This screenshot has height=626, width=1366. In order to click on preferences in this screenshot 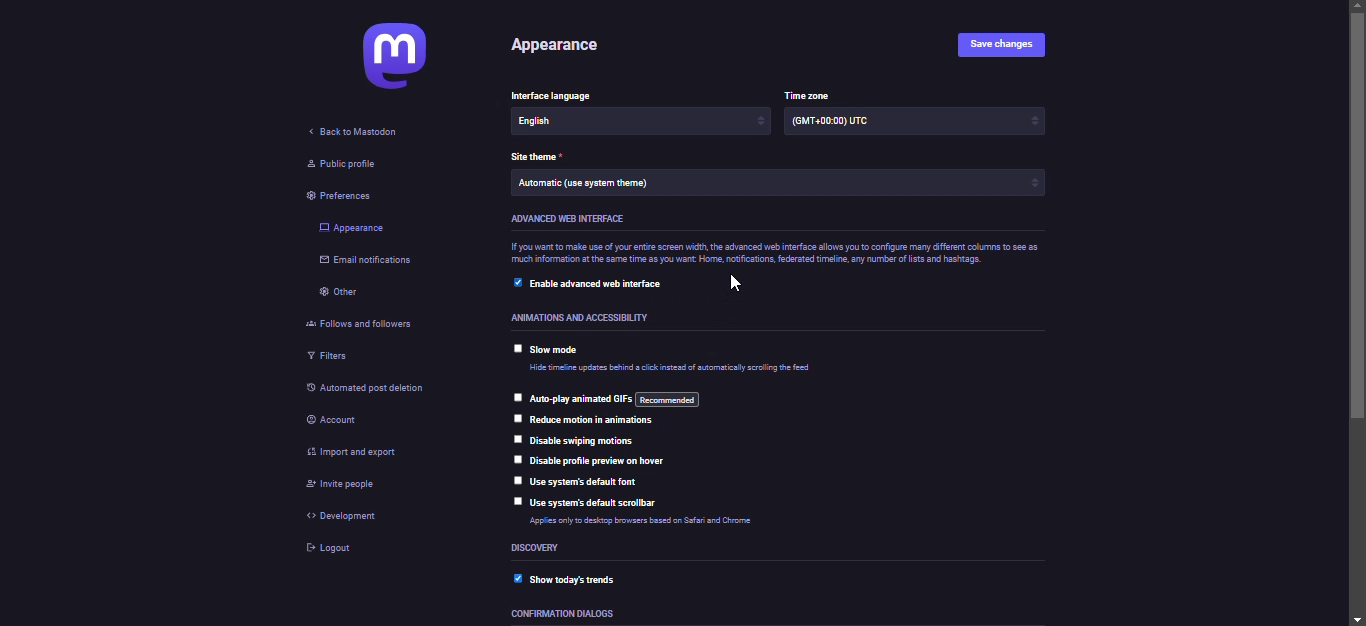, I will do `click(341, 195)`.